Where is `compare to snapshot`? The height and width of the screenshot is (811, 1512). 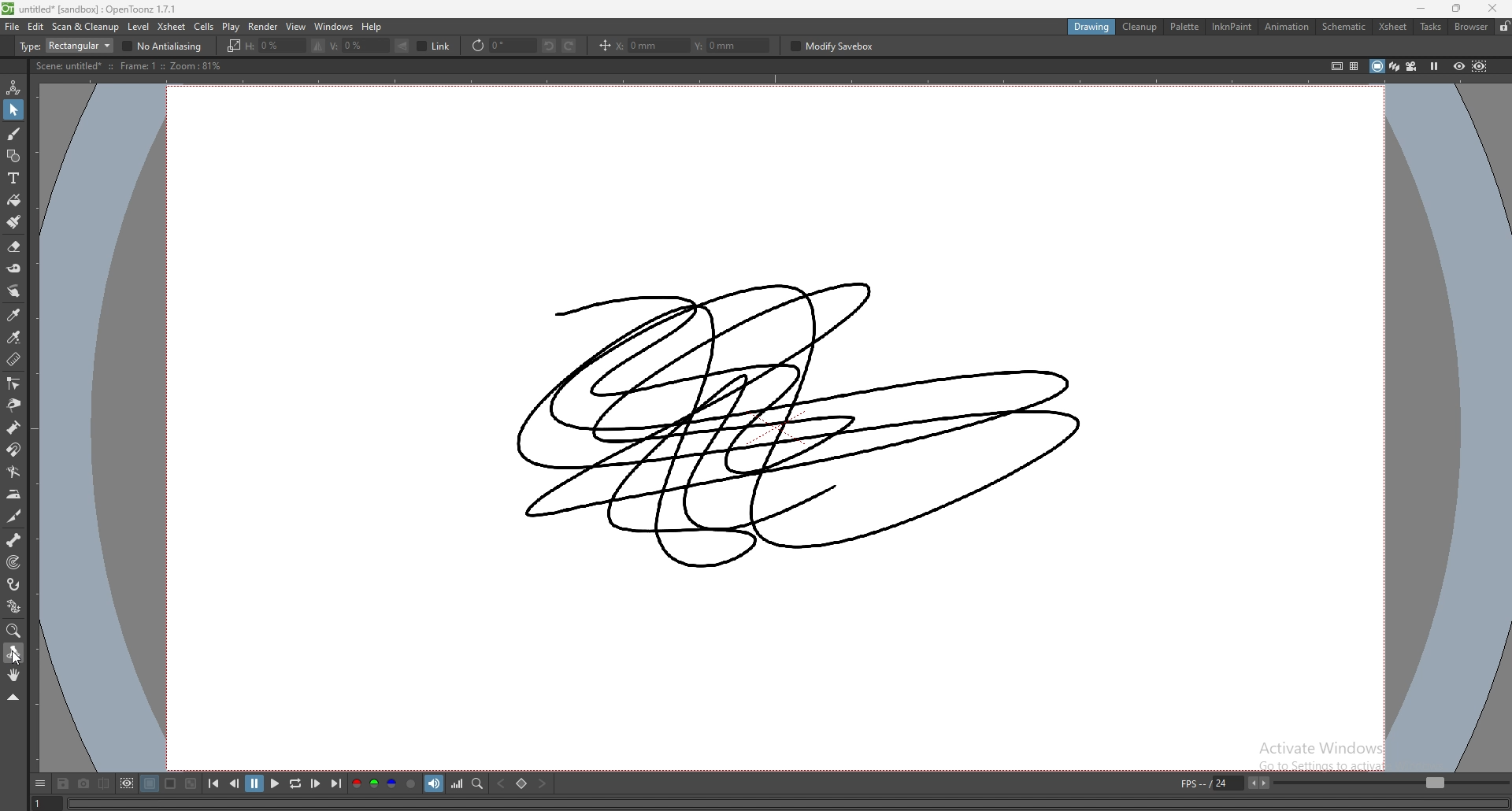 compare to snapshot is located at coordinates (105, 783).